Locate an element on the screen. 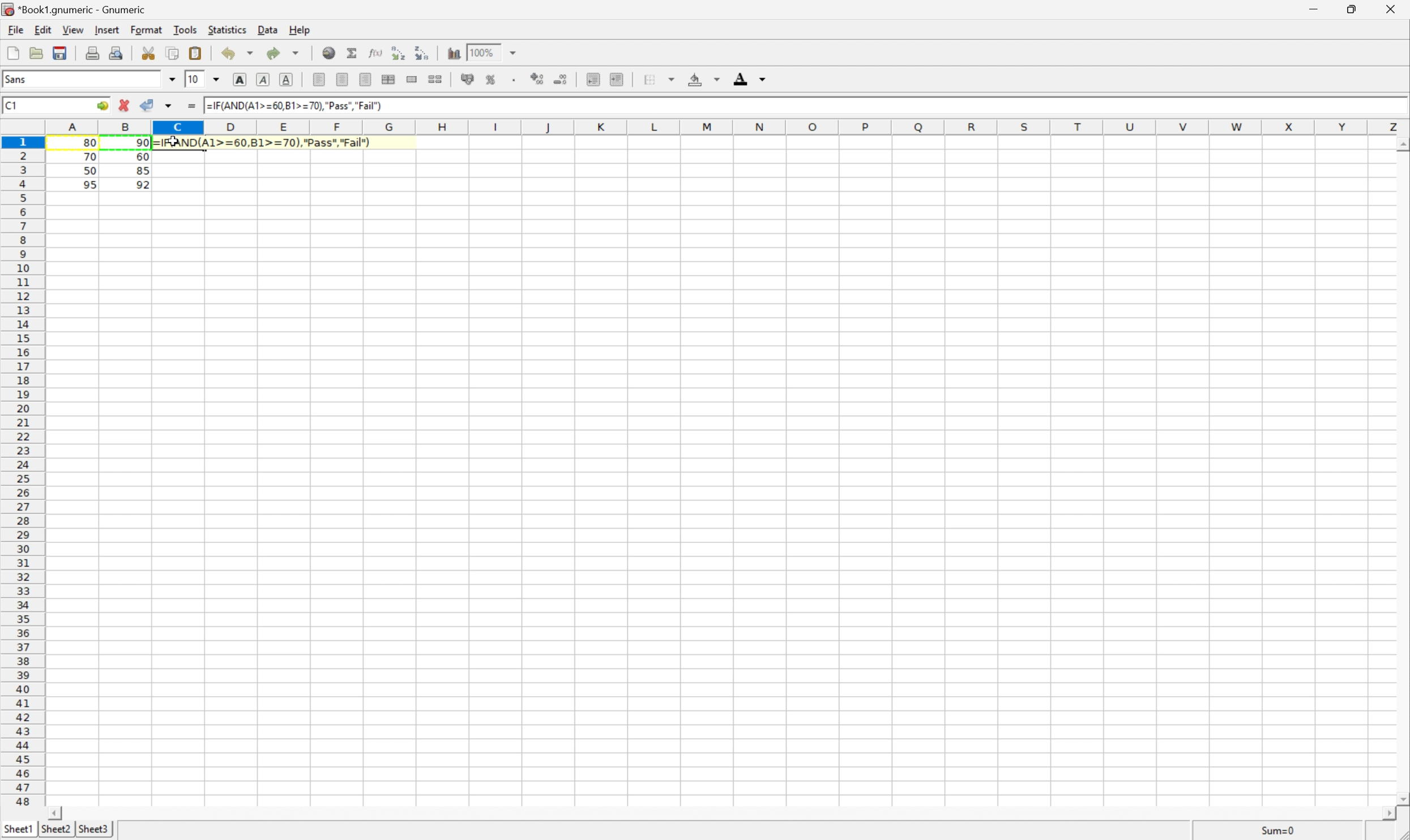 Image resolution: width=1410 pixels, height=840 pixels. 95 is located at coordinates (89, 185).